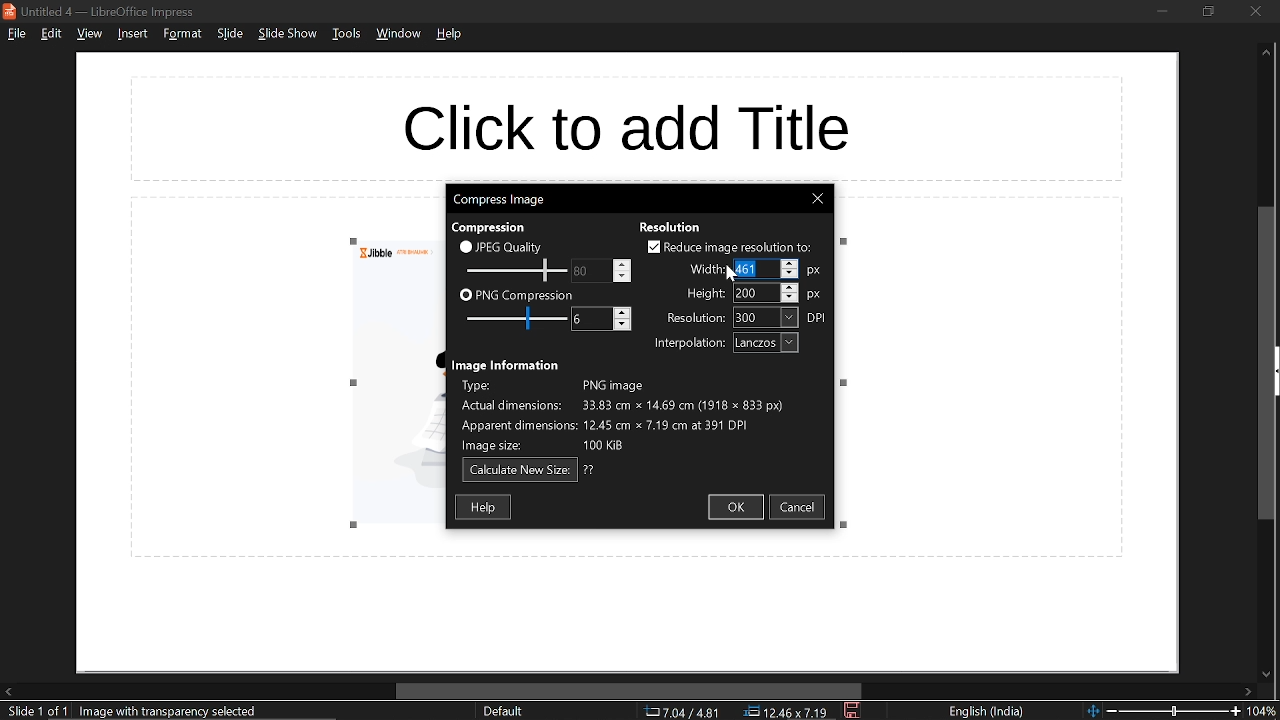  What do you see at coordinates (1249, 691) in the screenshot?
I see `move right` at bounding box center [1249, 691].